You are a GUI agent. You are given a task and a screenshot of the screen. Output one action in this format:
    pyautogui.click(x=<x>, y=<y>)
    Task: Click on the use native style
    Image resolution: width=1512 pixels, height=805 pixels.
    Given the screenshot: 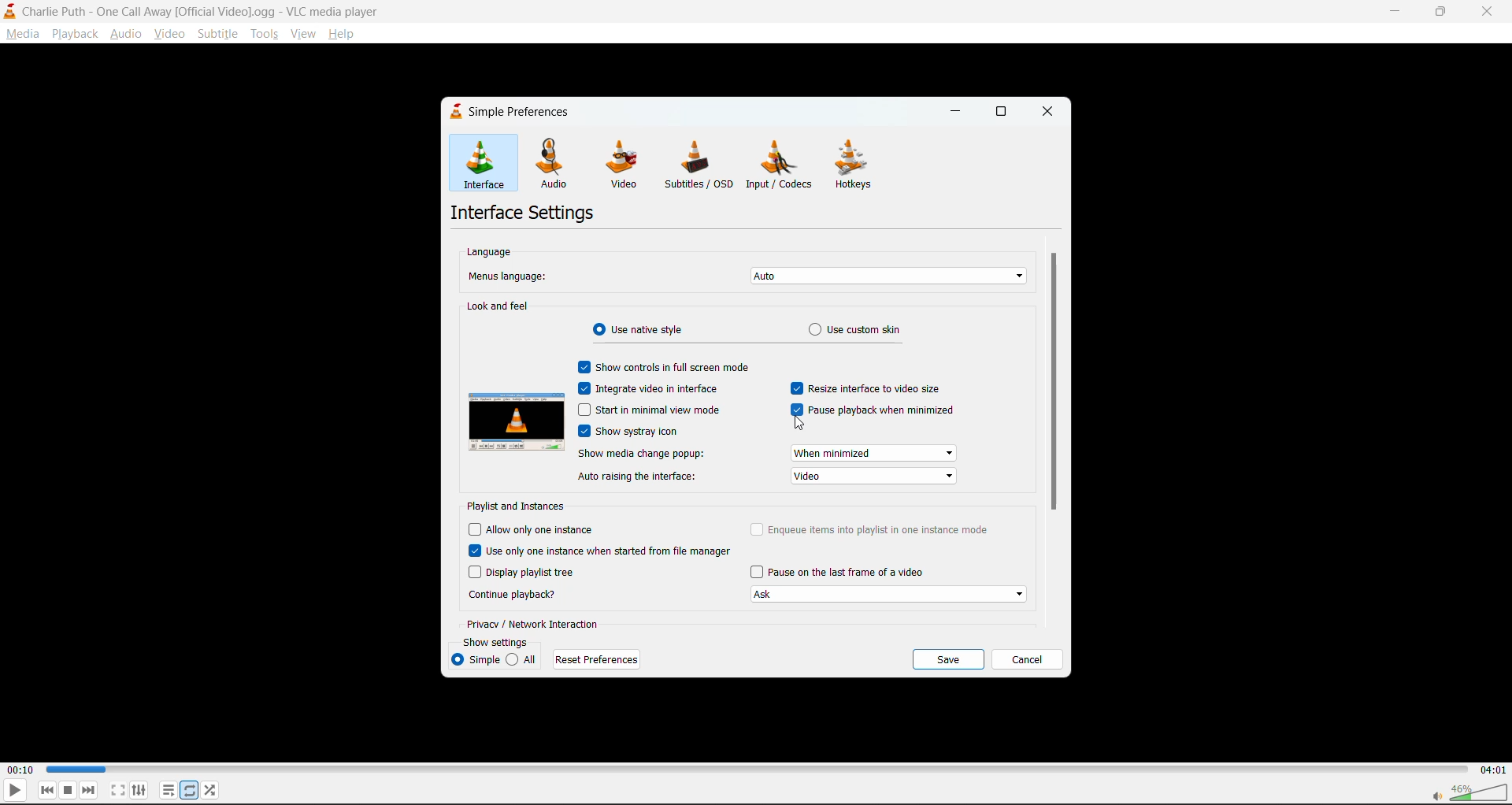 What is the action you would take?
    pyautogui.click(x=651, y=330)
    